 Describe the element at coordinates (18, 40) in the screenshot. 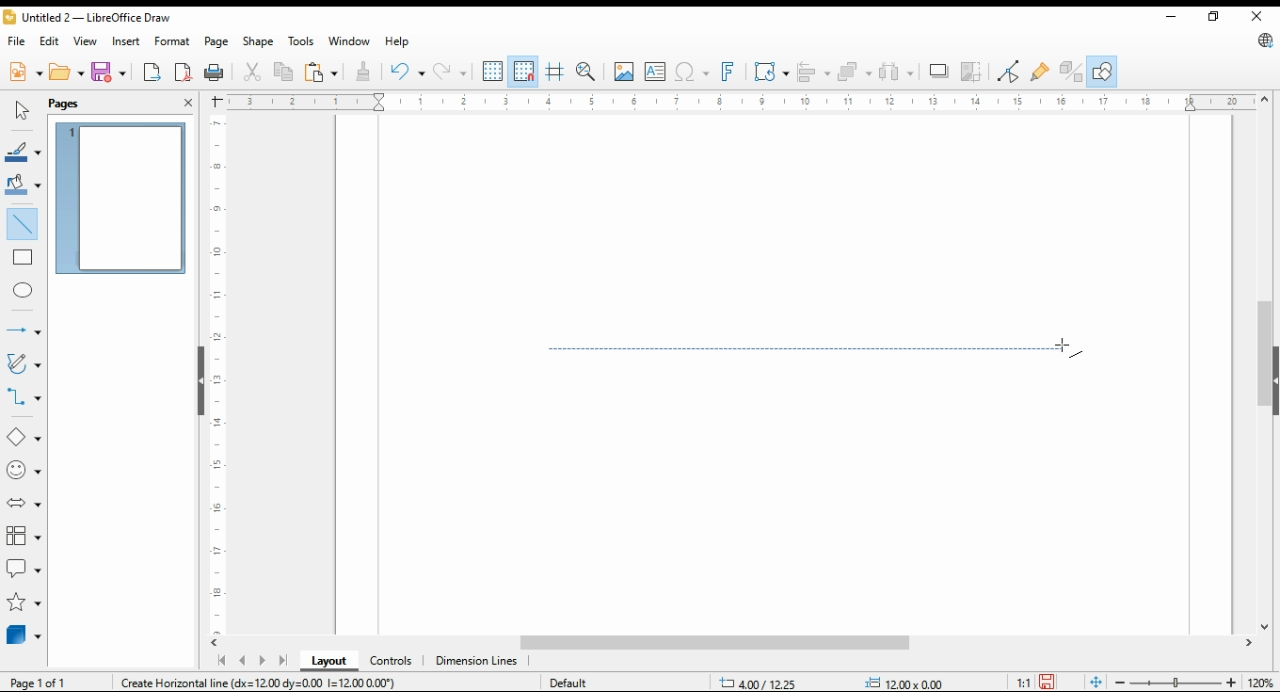

I see `file` at that location.